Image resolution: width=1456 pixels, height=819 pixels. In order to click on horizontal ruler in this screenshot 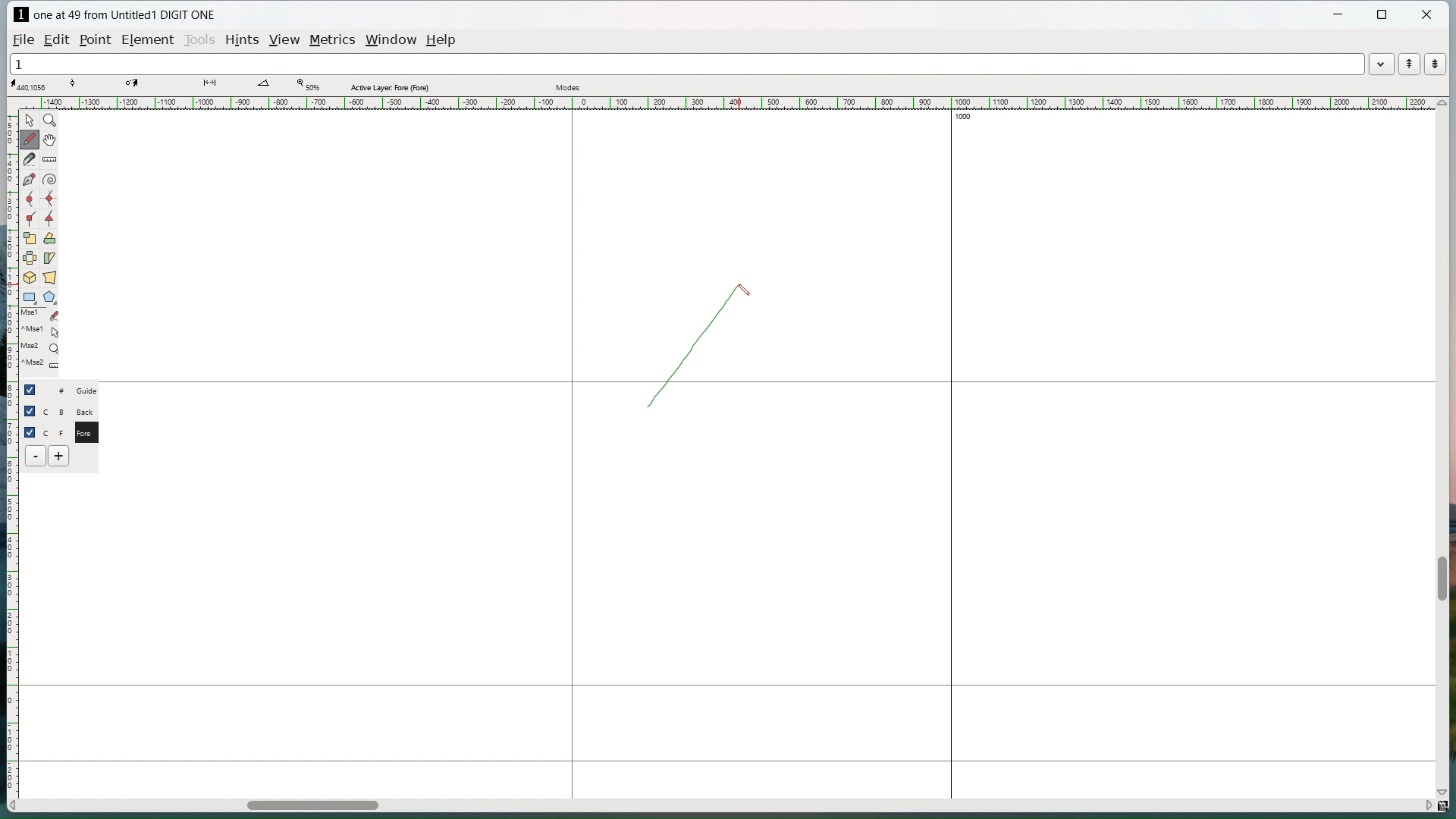, I will do `click(725, 102)`.